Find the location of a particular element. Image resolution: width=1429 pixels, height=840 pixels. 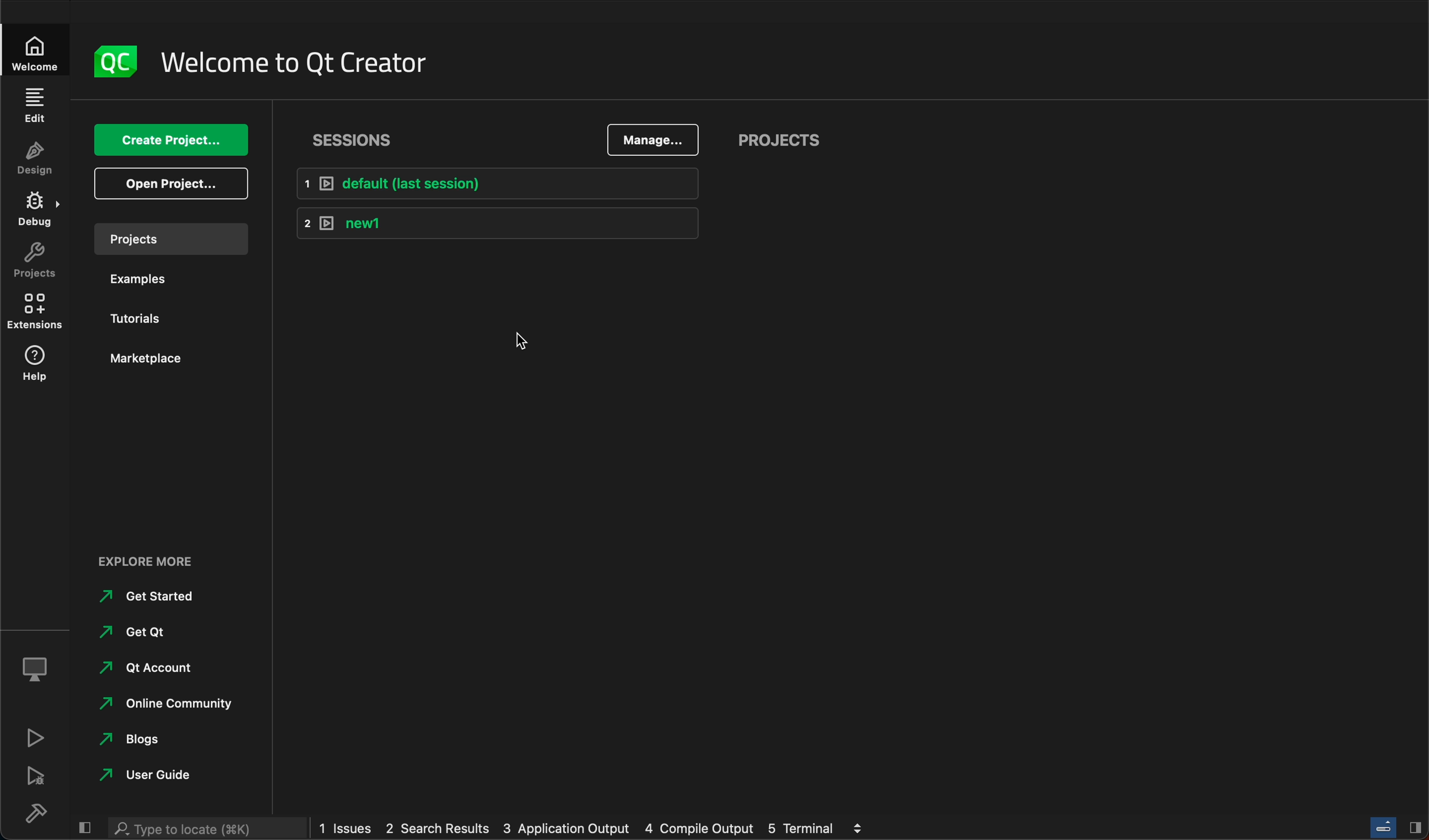

build is located at coordinates (43, 813).